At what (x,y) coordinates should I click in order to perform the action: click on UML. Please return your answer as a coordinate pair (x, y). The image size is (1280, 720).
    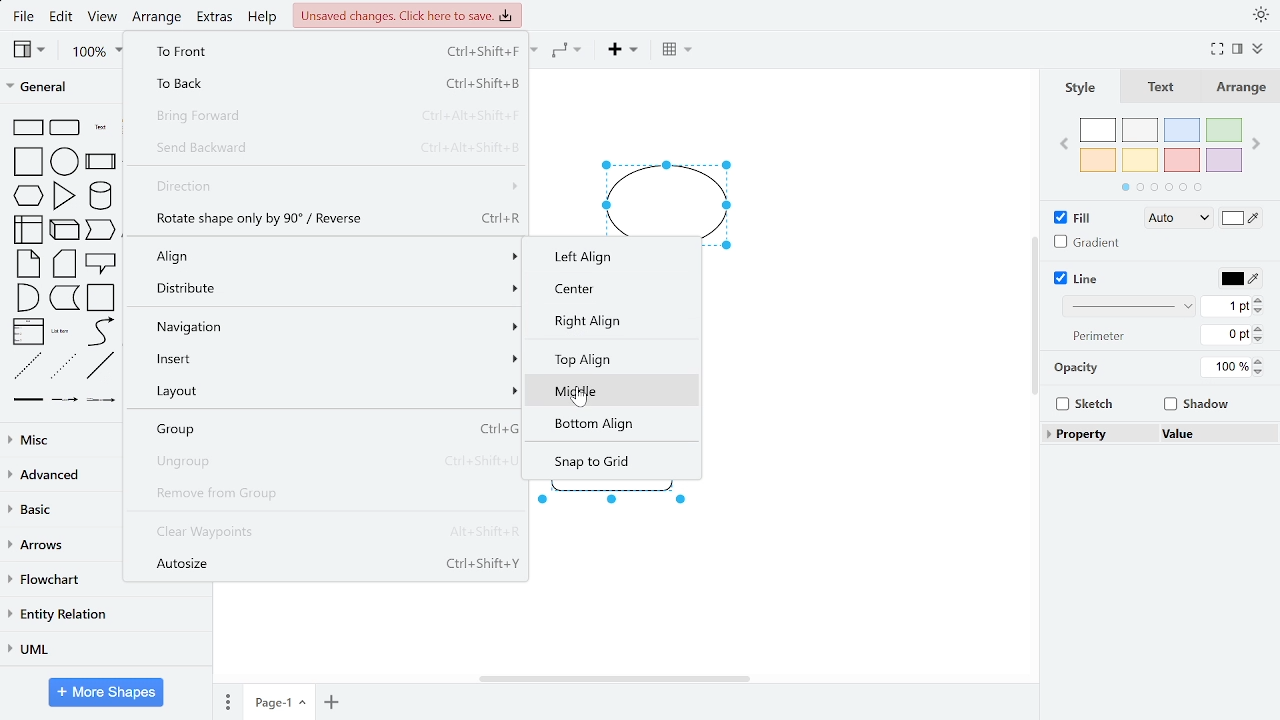
    Looking at the image, I should click on (103, 649).